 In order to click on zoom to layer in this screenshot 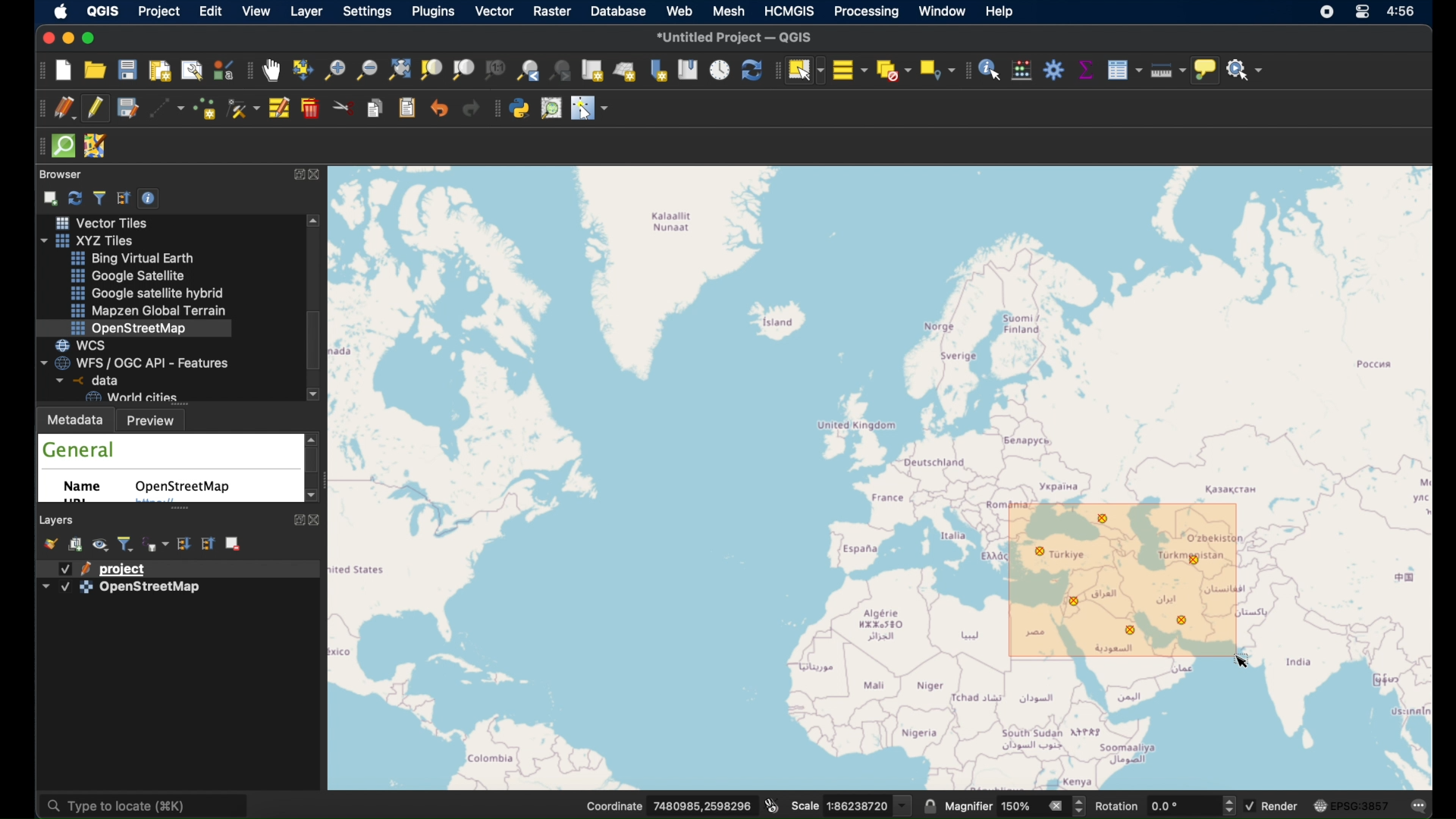, I will do `click(463, 71)`.